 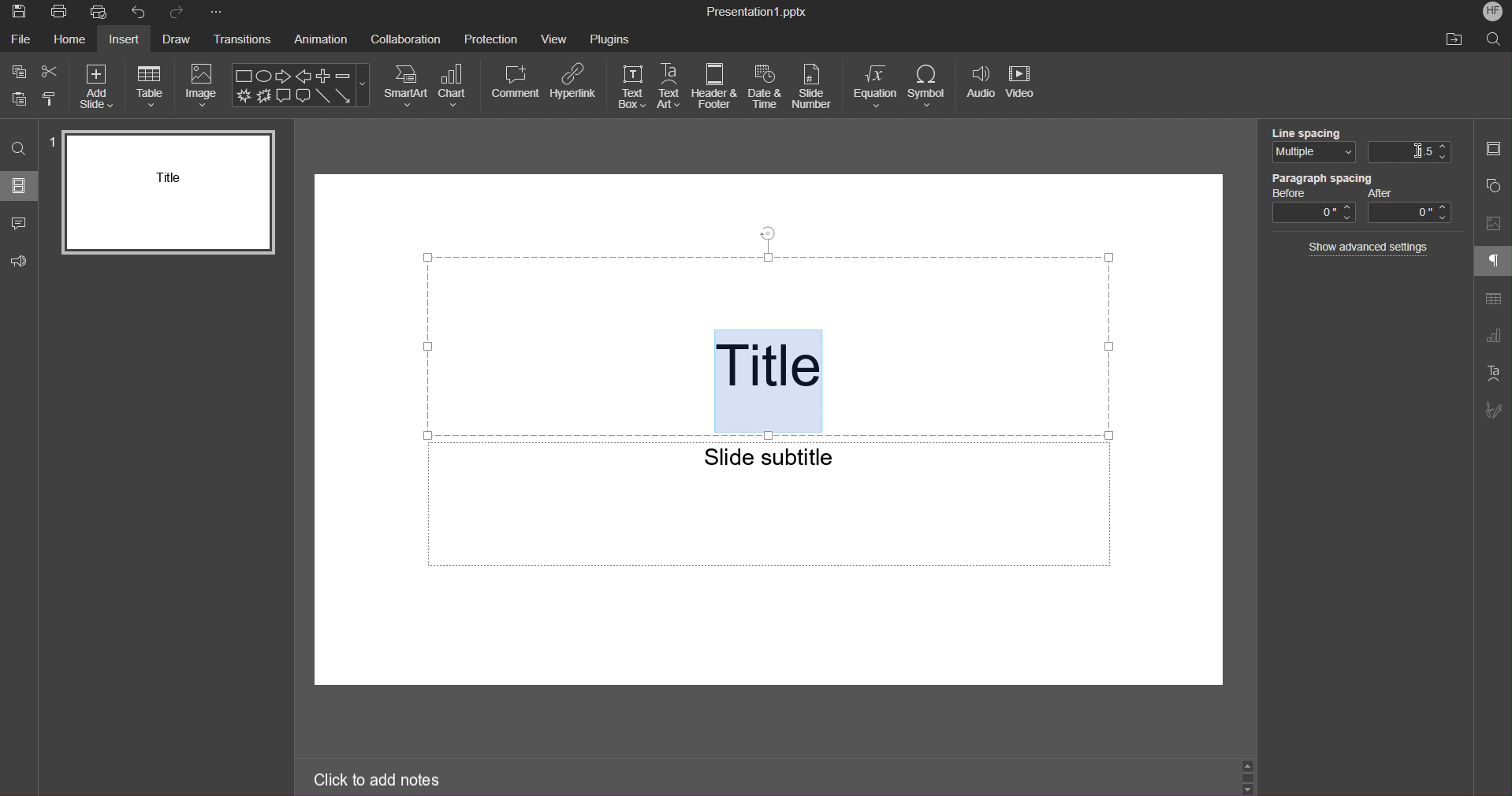 What do you see at coordinates (757, 13) in the screenshot?
I see `Presentation1.pptx` at bounding box center [757, 13].